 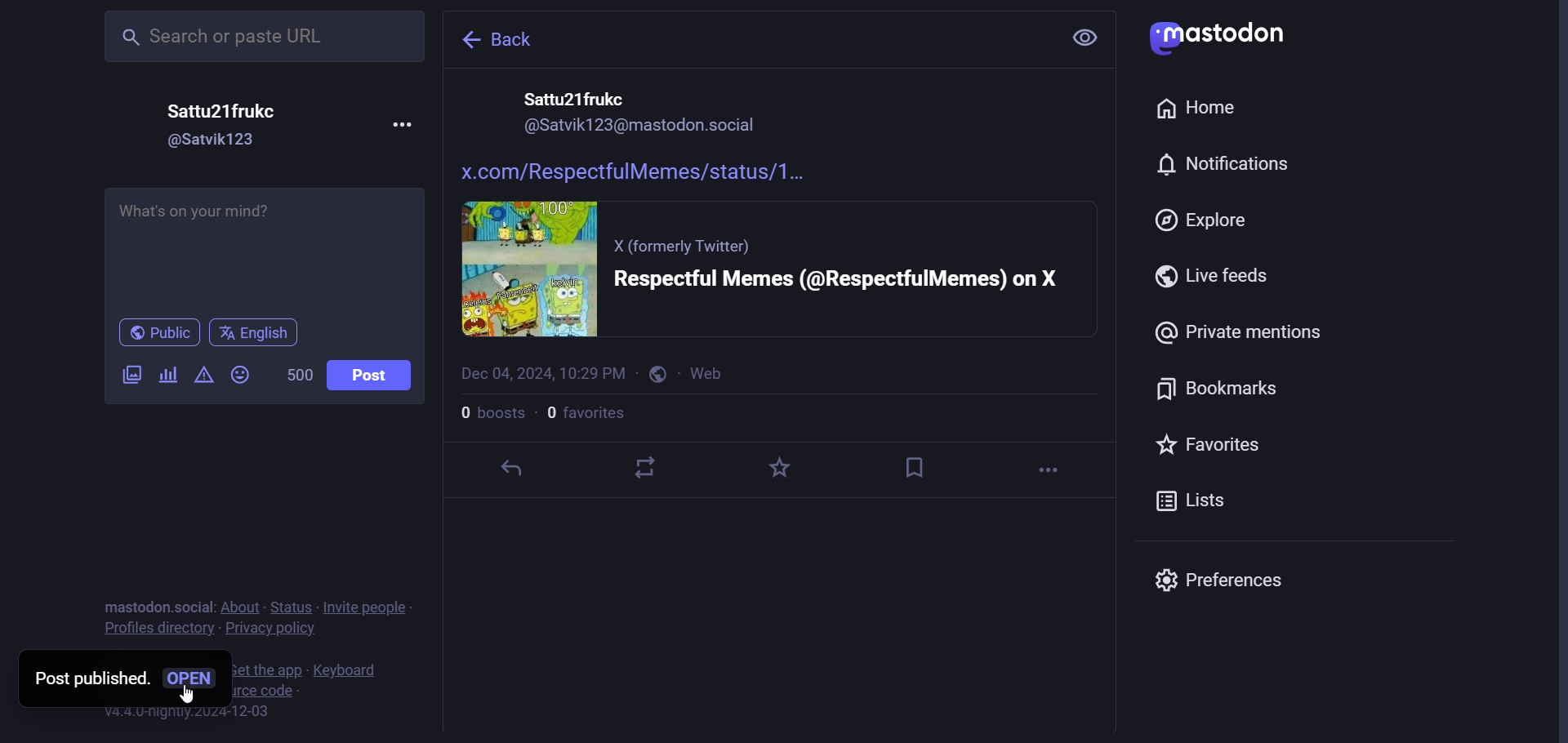 What do you see at coordinates (89, 679) in the screenshot?
I see `post published` at bounding box center [89, 679].